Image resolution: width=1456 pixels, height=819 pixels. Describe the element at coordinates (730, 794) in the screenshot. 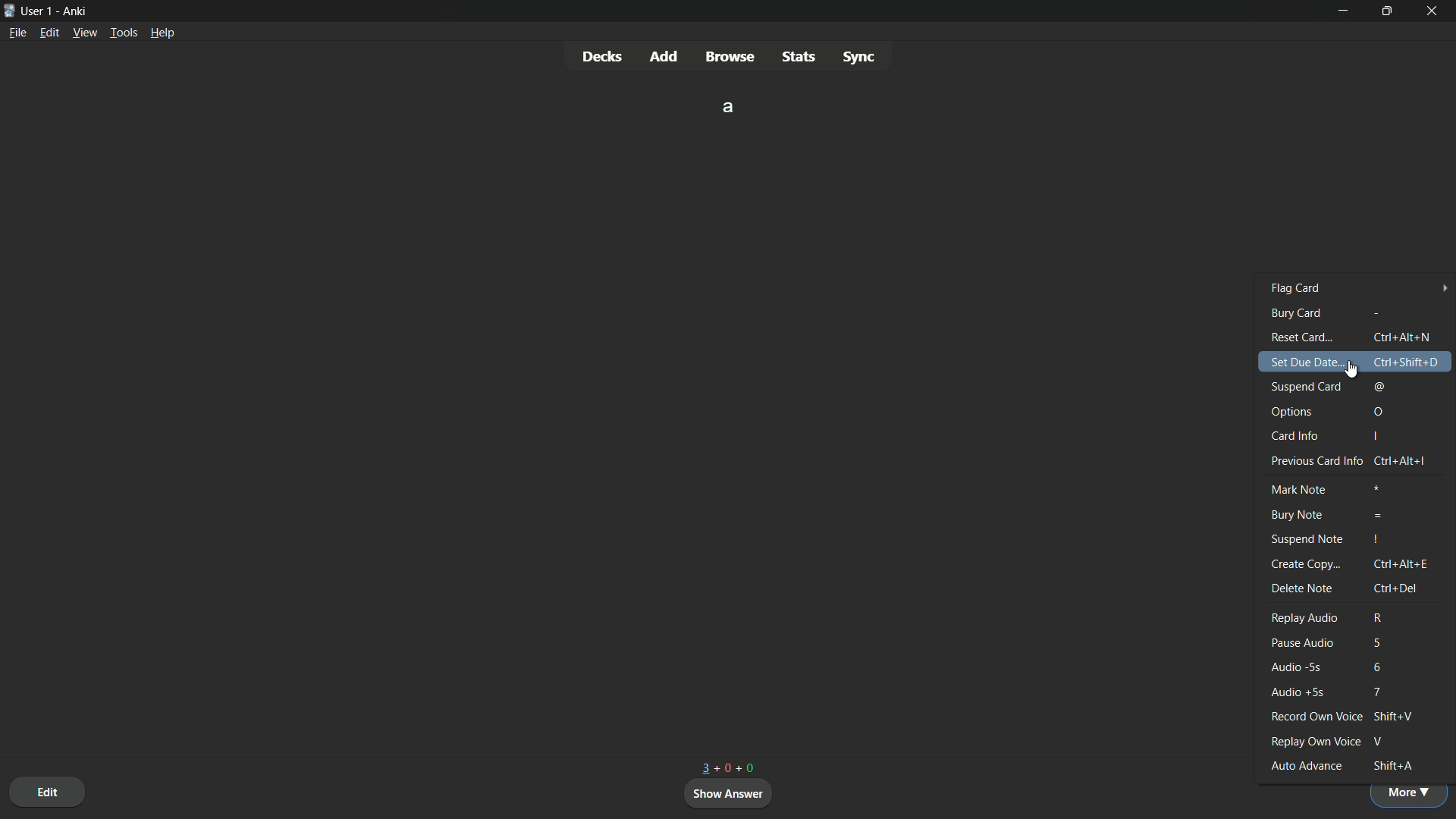

I see `show answer` at that location.